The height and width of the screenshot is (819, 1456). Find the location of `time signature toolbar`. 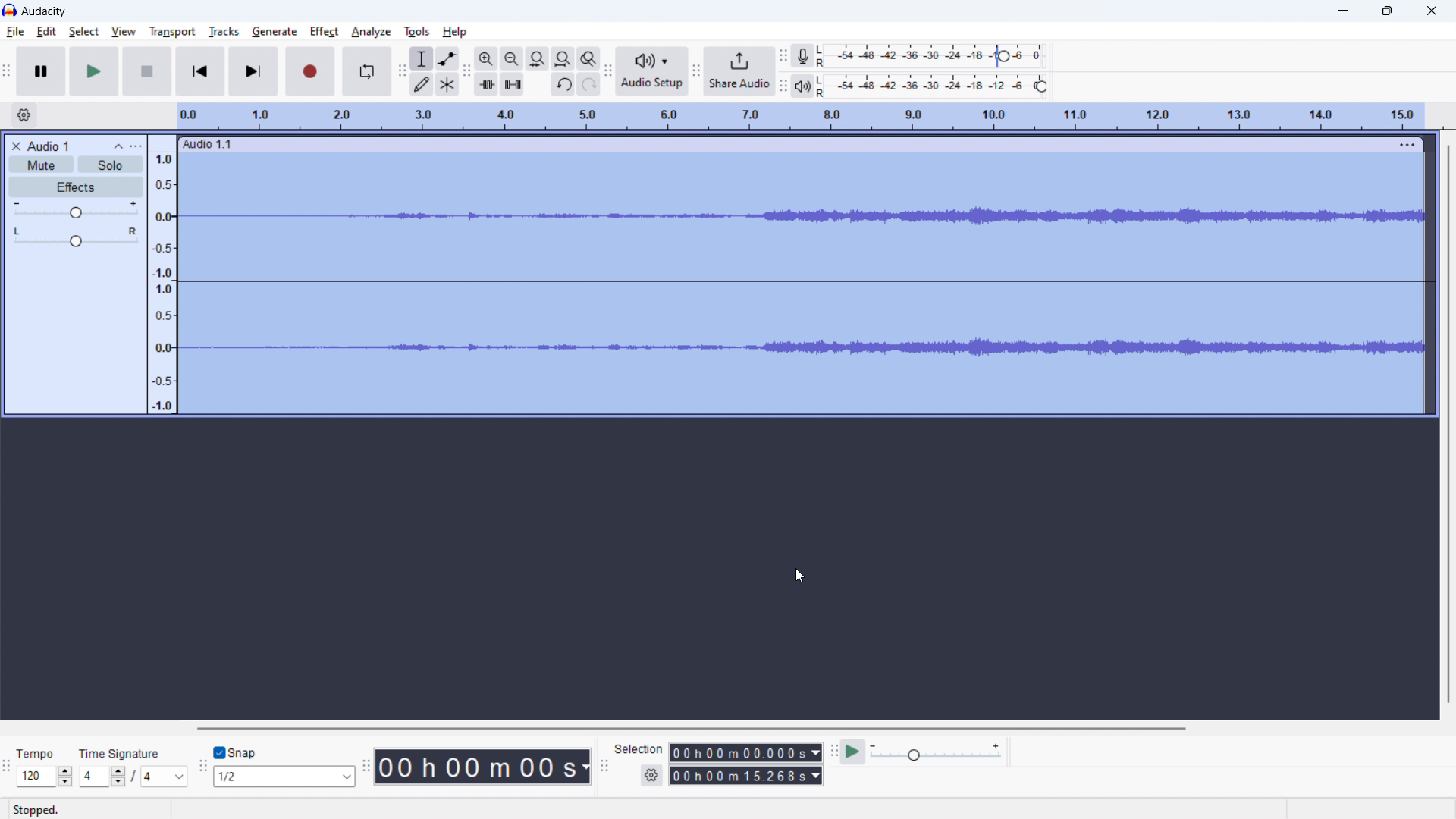

time signature toolbar is located at coordinates (8, 766).